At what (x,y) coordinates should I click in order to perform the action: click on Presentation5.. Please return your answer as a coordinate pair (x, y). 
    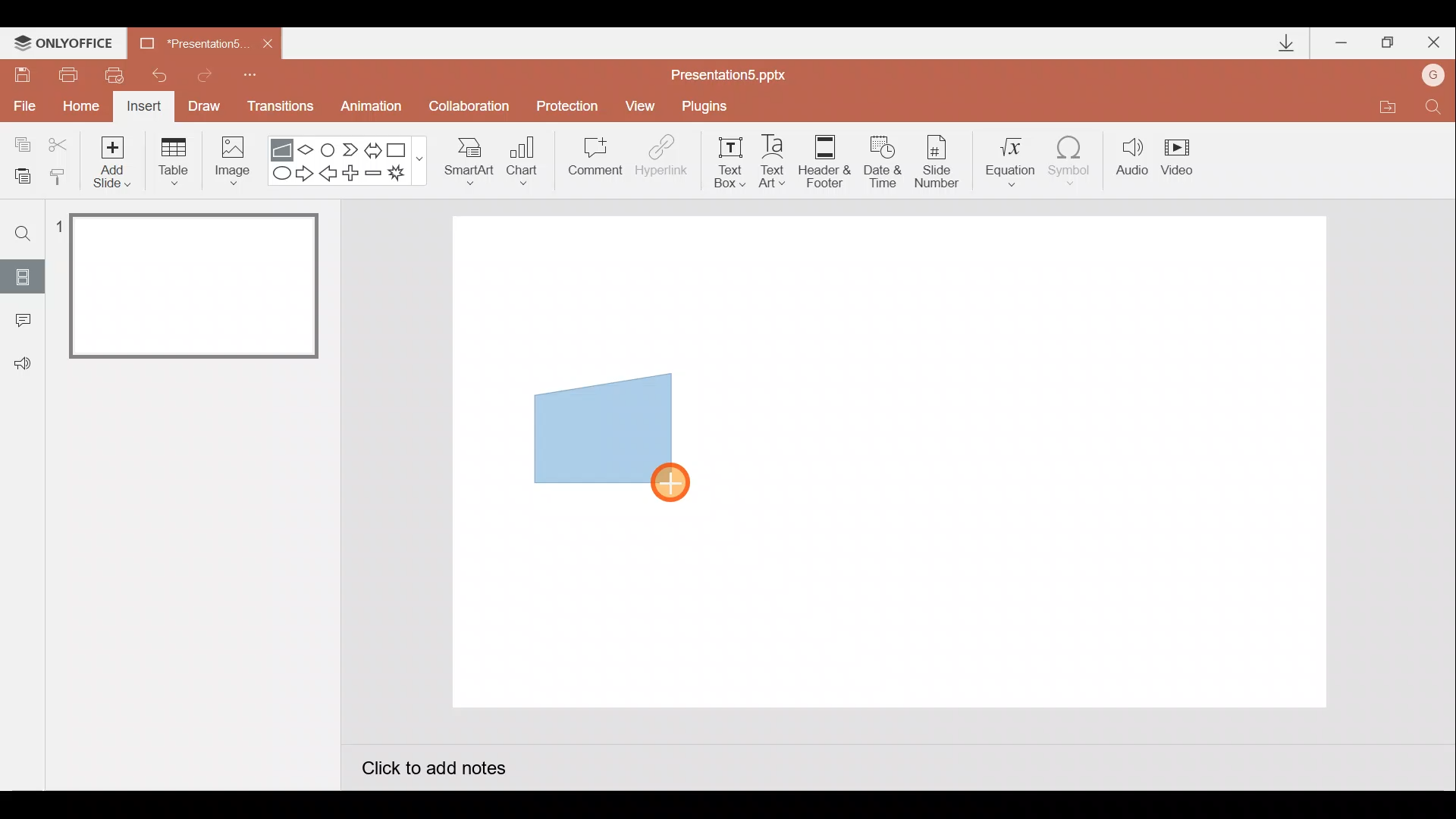
    Looking at the image, I should click on (187, 41).